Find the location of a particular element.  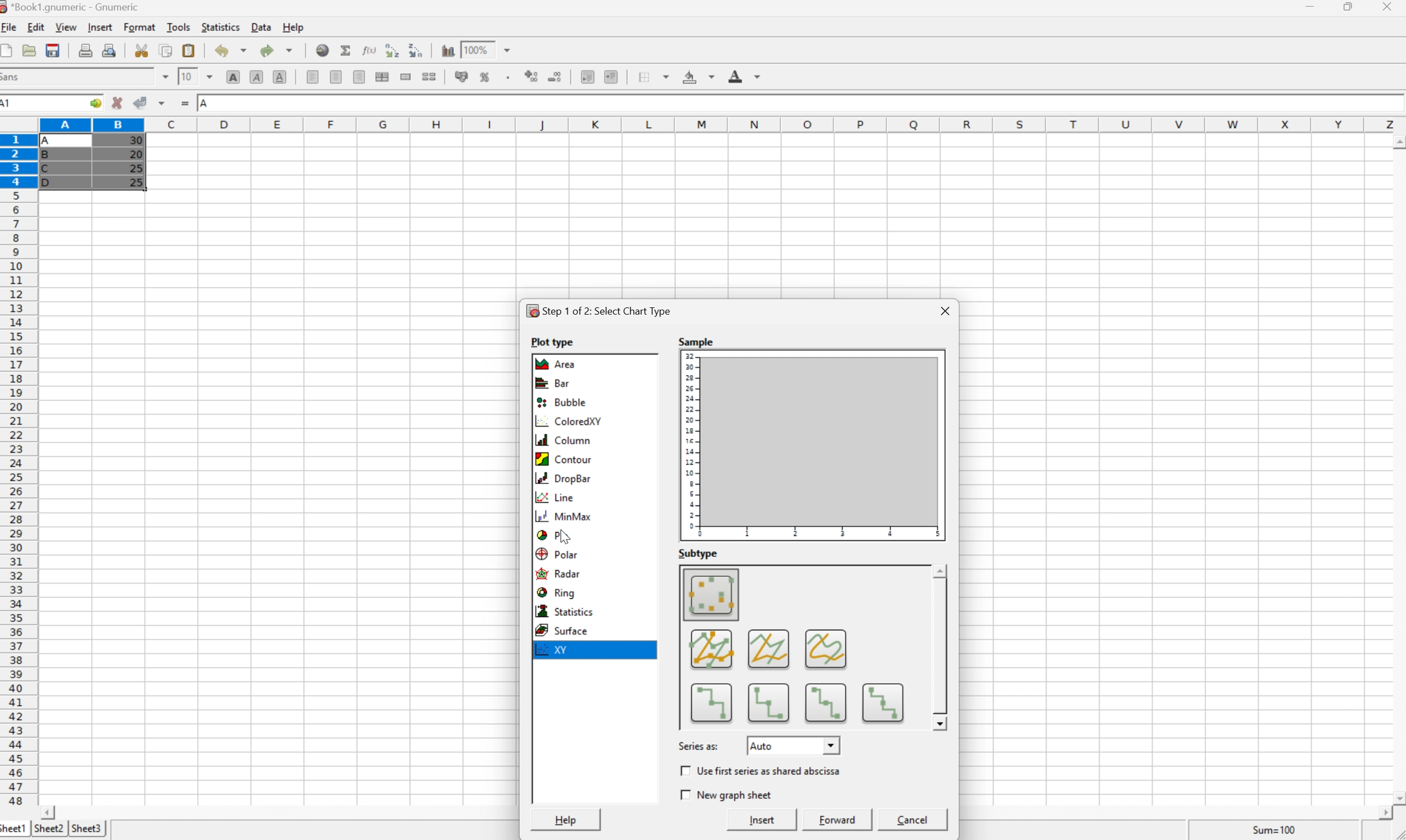

ColoredXY is located at coordinates (568, 422).